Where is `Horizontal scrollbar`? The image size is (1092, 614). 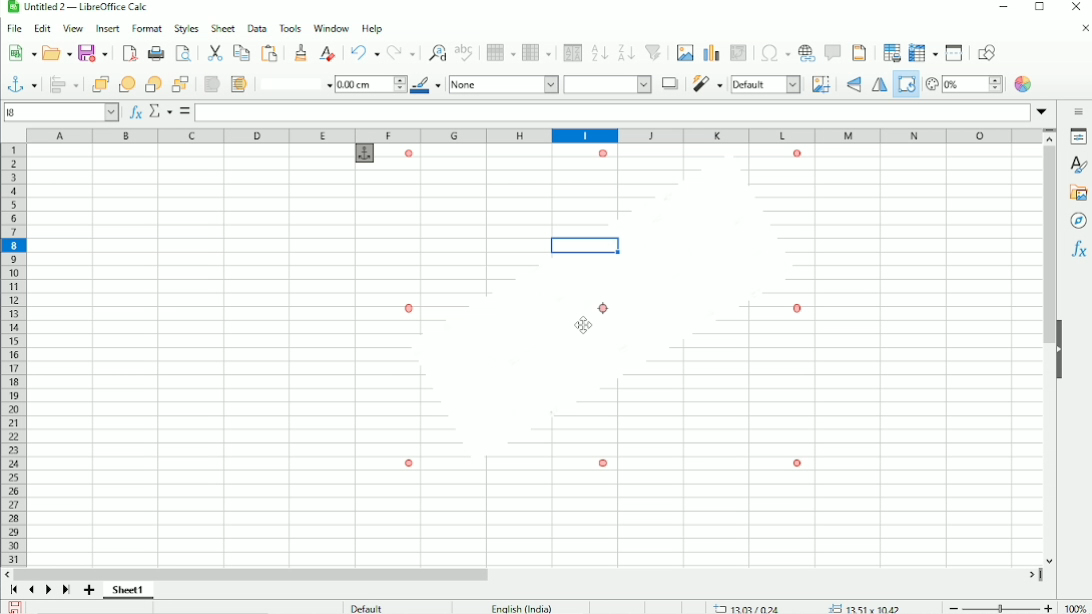
Horizontal scrollbar is located at coordinates (251, 574).